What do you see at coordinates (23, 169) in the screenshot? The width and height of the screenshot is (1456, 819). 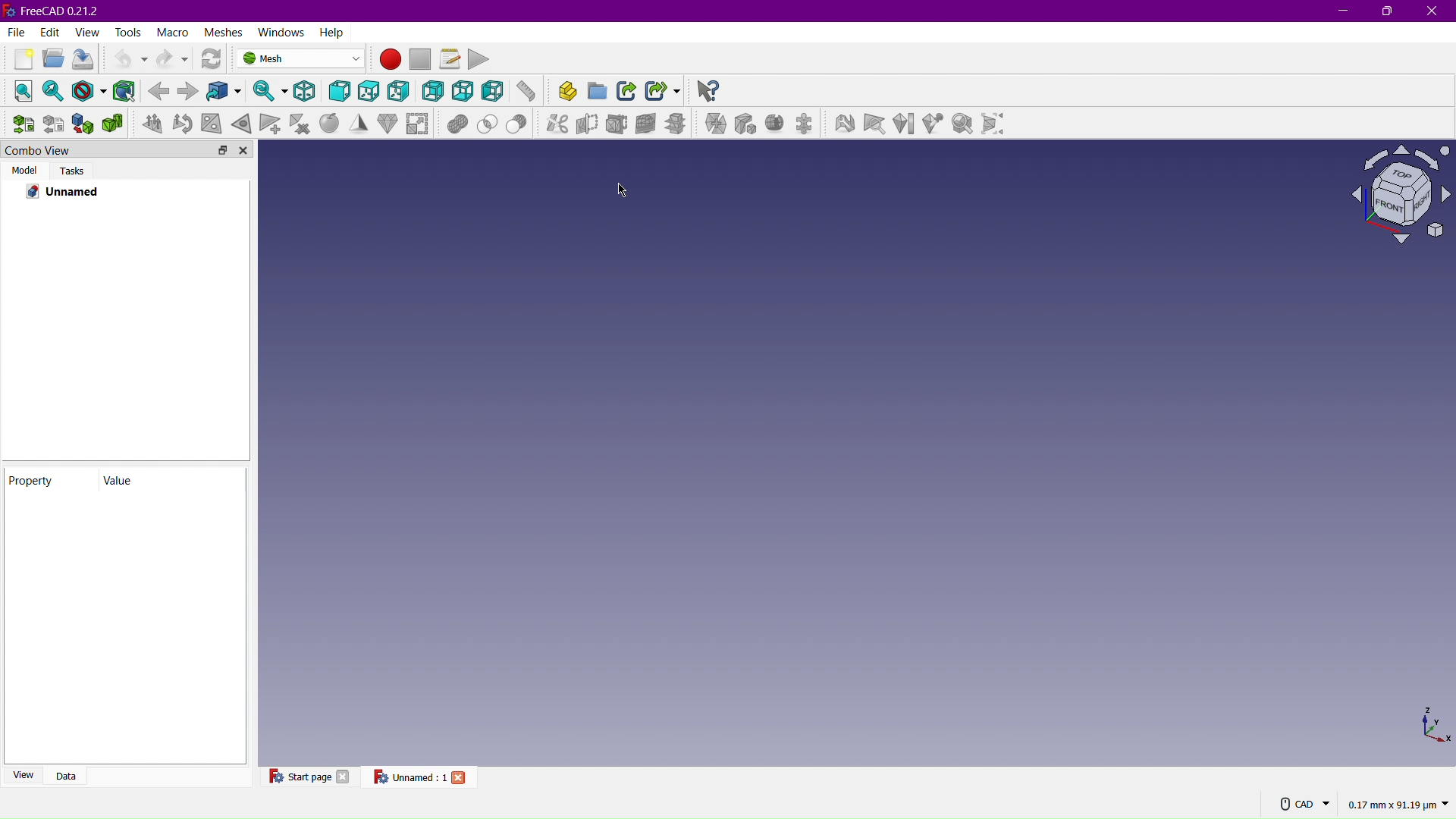 I see `Model` at bounding box center [23, 169].